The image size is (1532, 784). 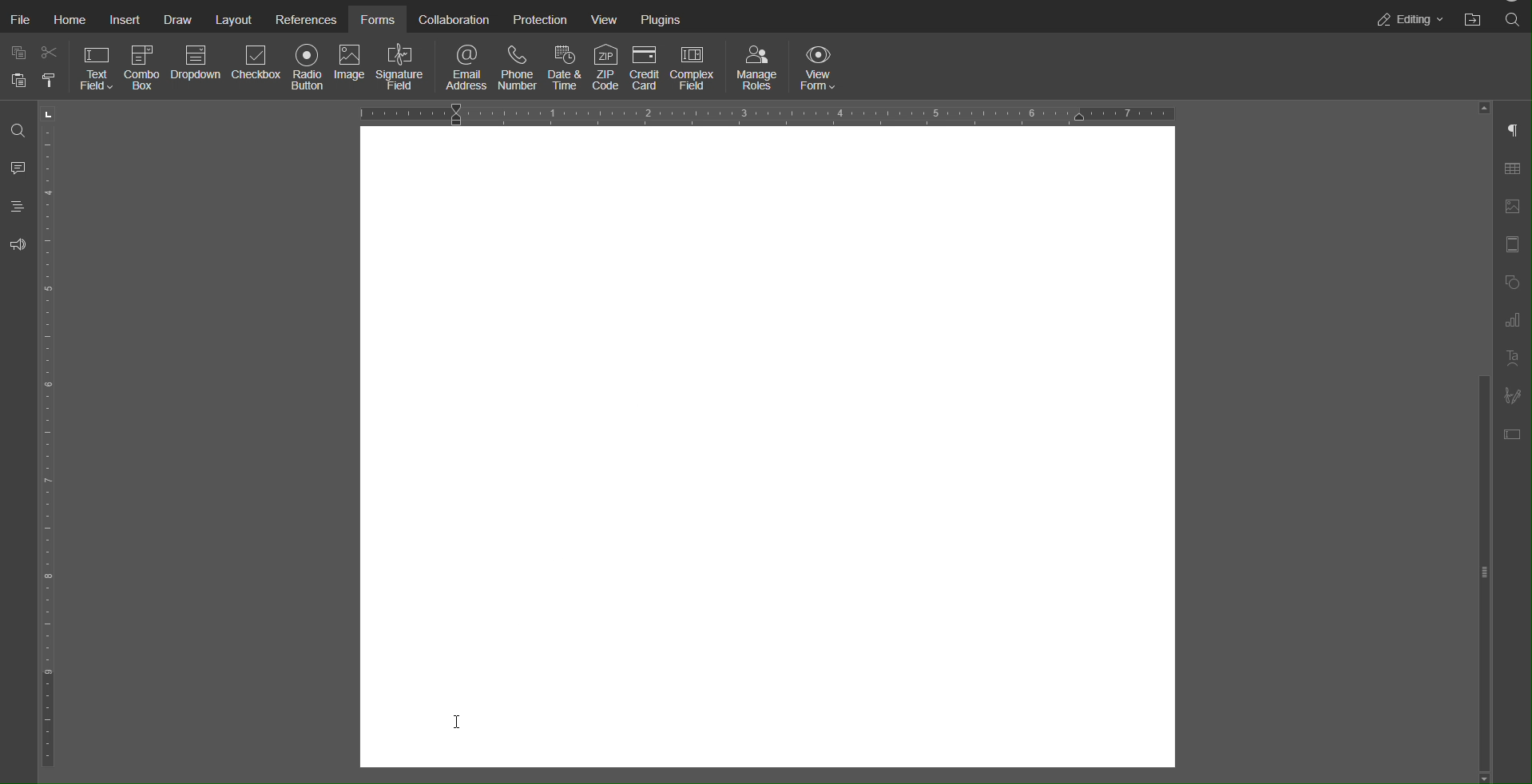 What do you see at coordinates (22, 21) in the screenshot?
I see `File` at bounding box center [22, 21].